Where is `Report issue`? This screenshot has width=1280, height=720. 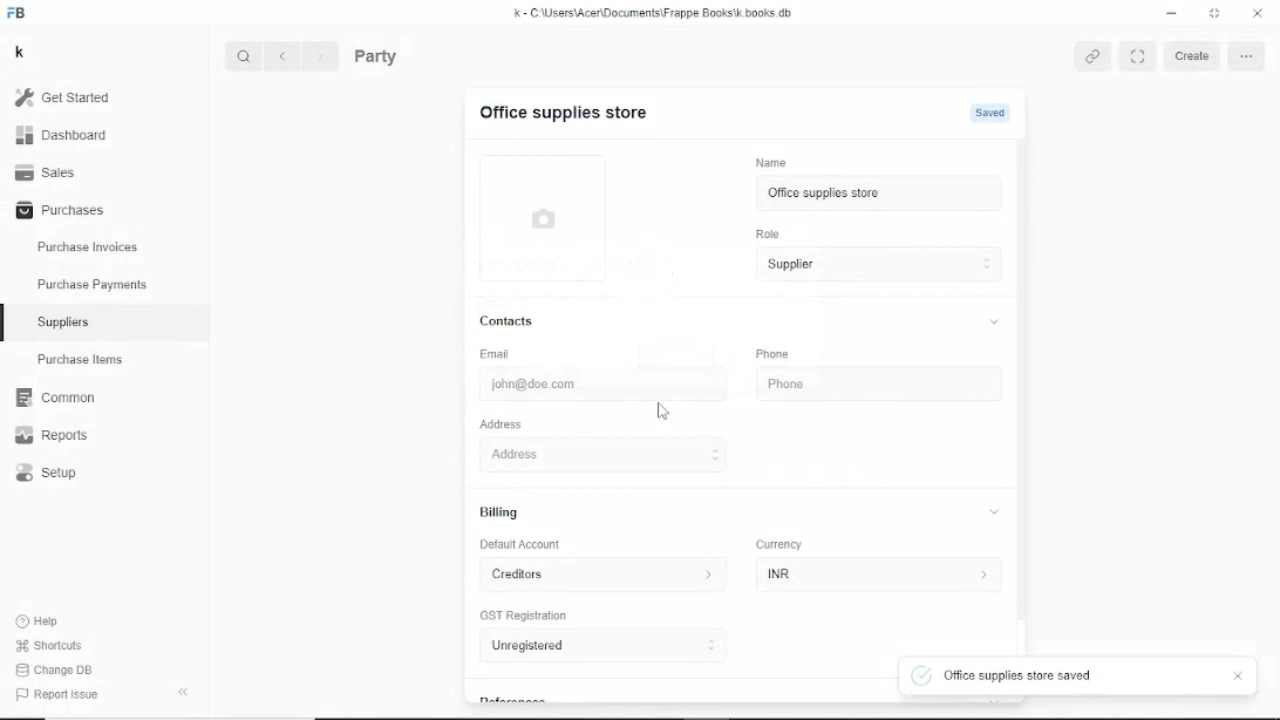 Report issue is located at coordinates (56, 696).